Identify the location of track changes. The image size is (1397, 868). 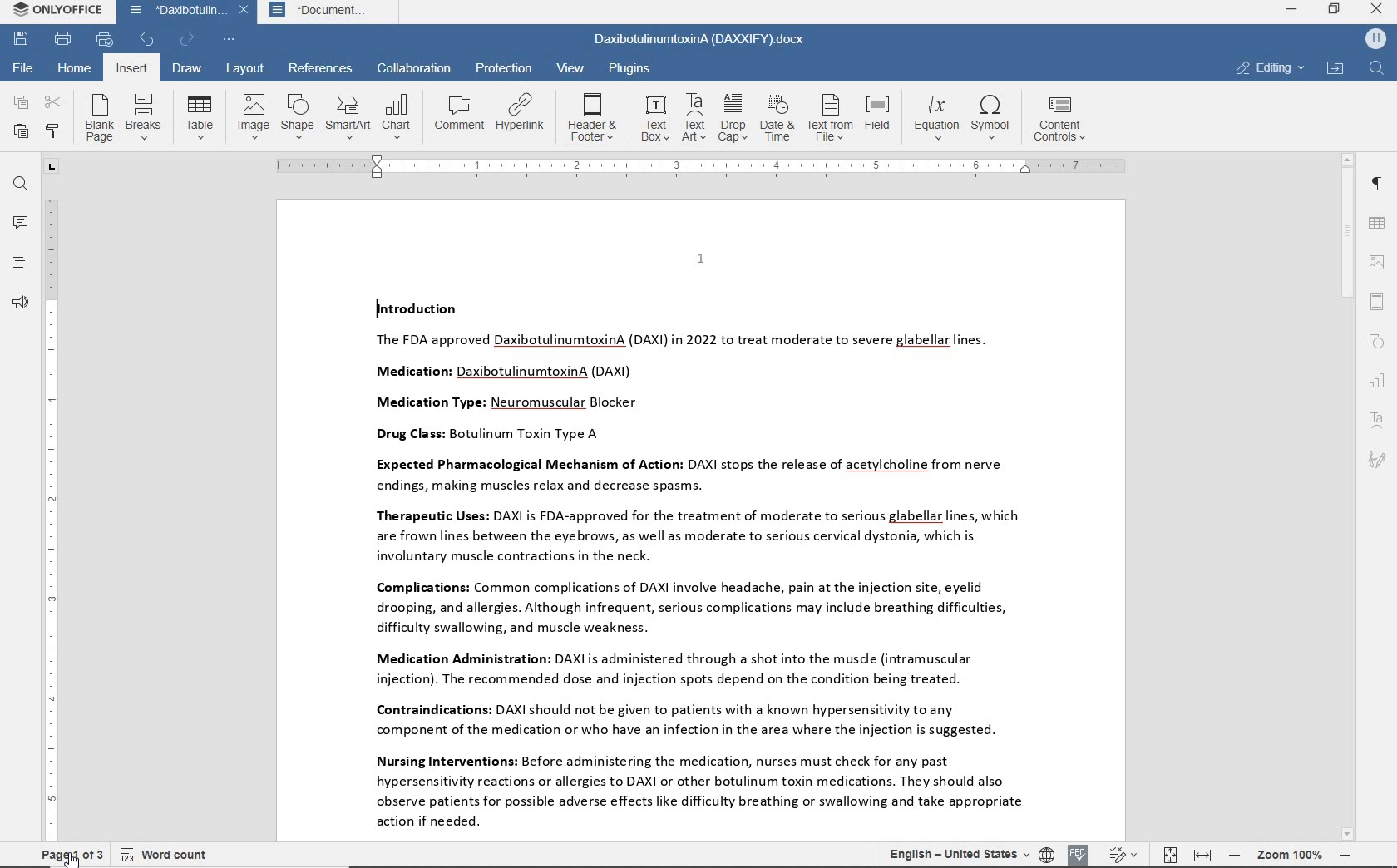
(1122, 856).